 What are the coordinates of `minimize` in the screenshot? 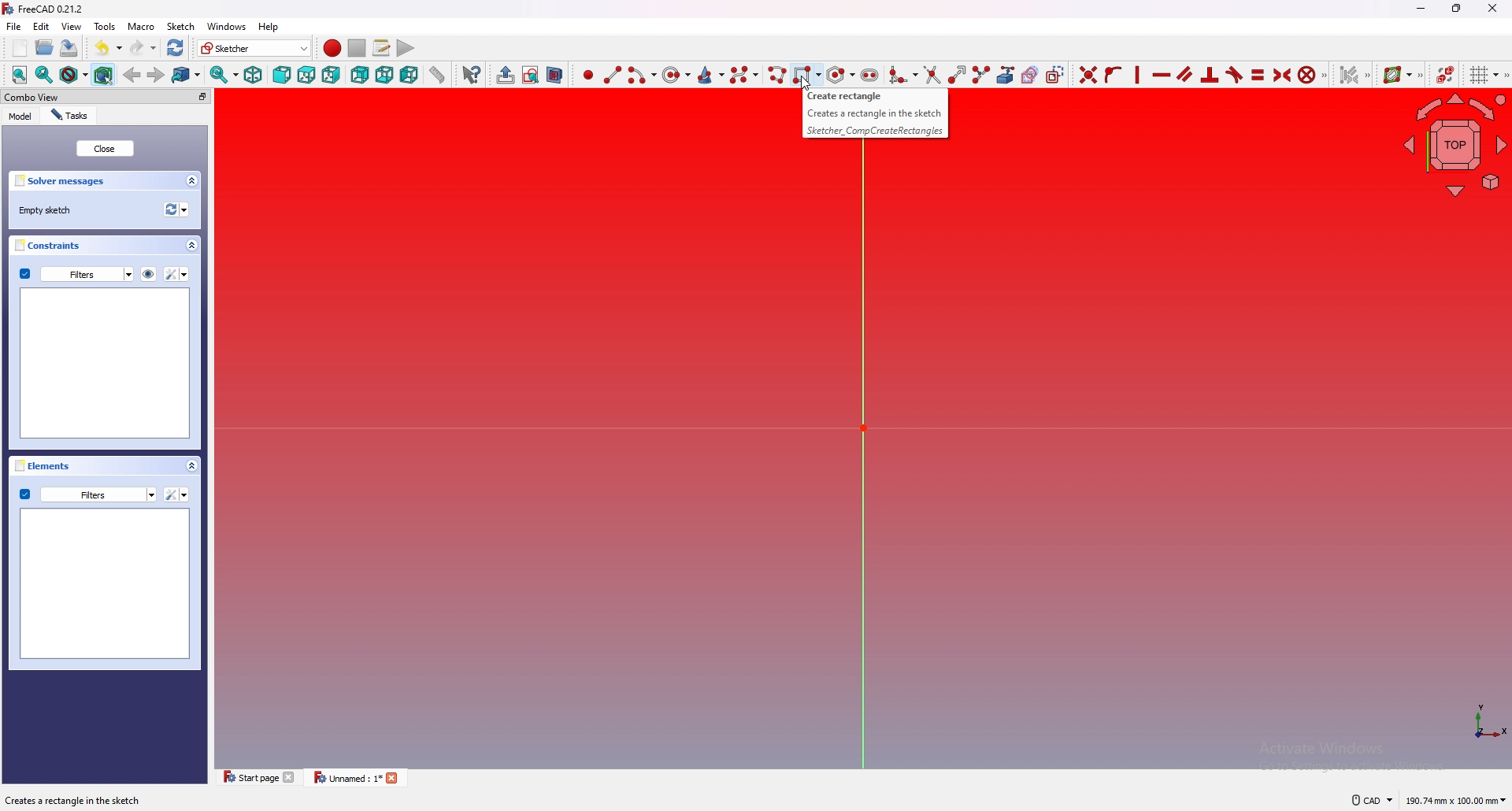 It's located at (1420, 8).